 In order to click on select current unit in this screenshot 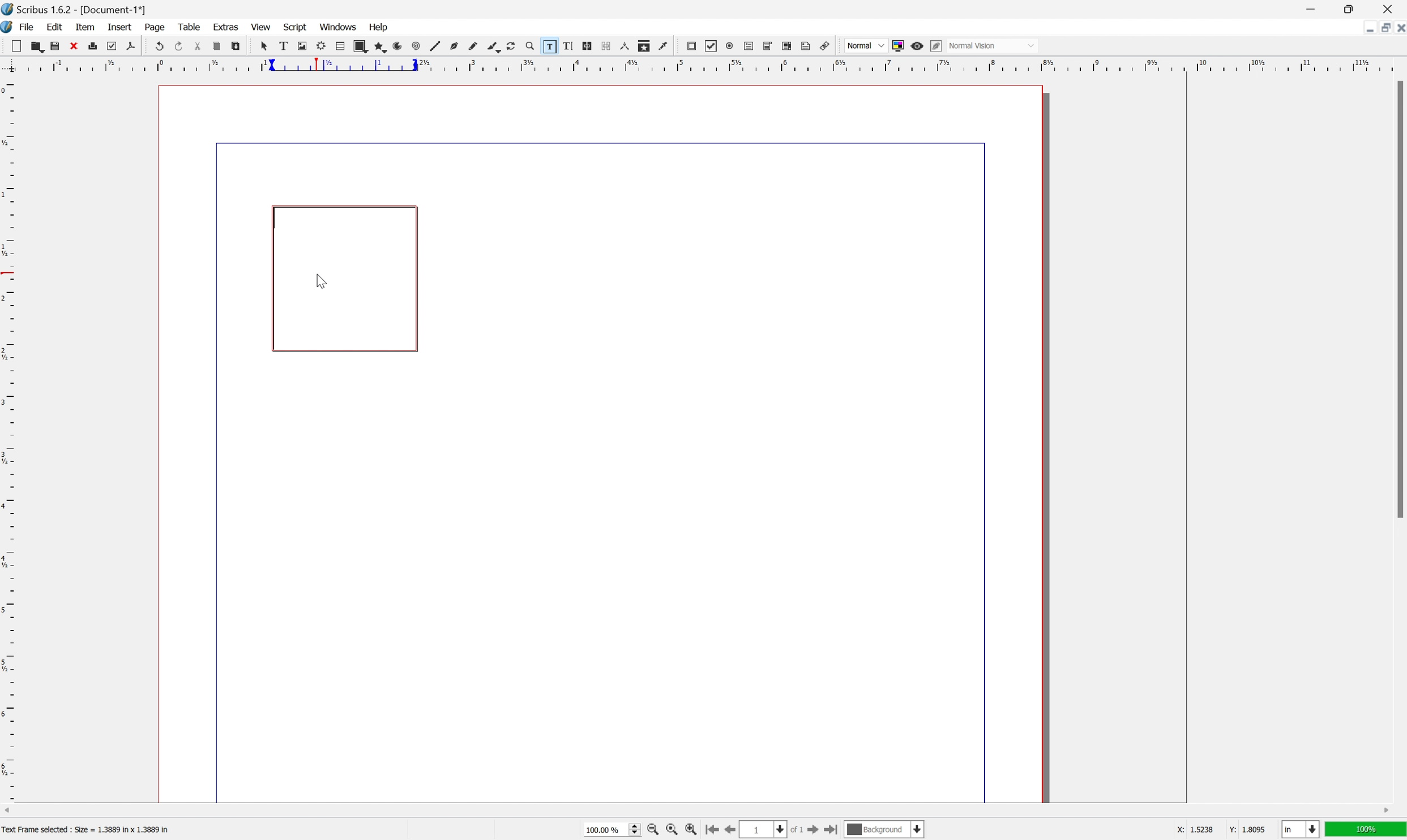, I will do `click(1301, 830)`.